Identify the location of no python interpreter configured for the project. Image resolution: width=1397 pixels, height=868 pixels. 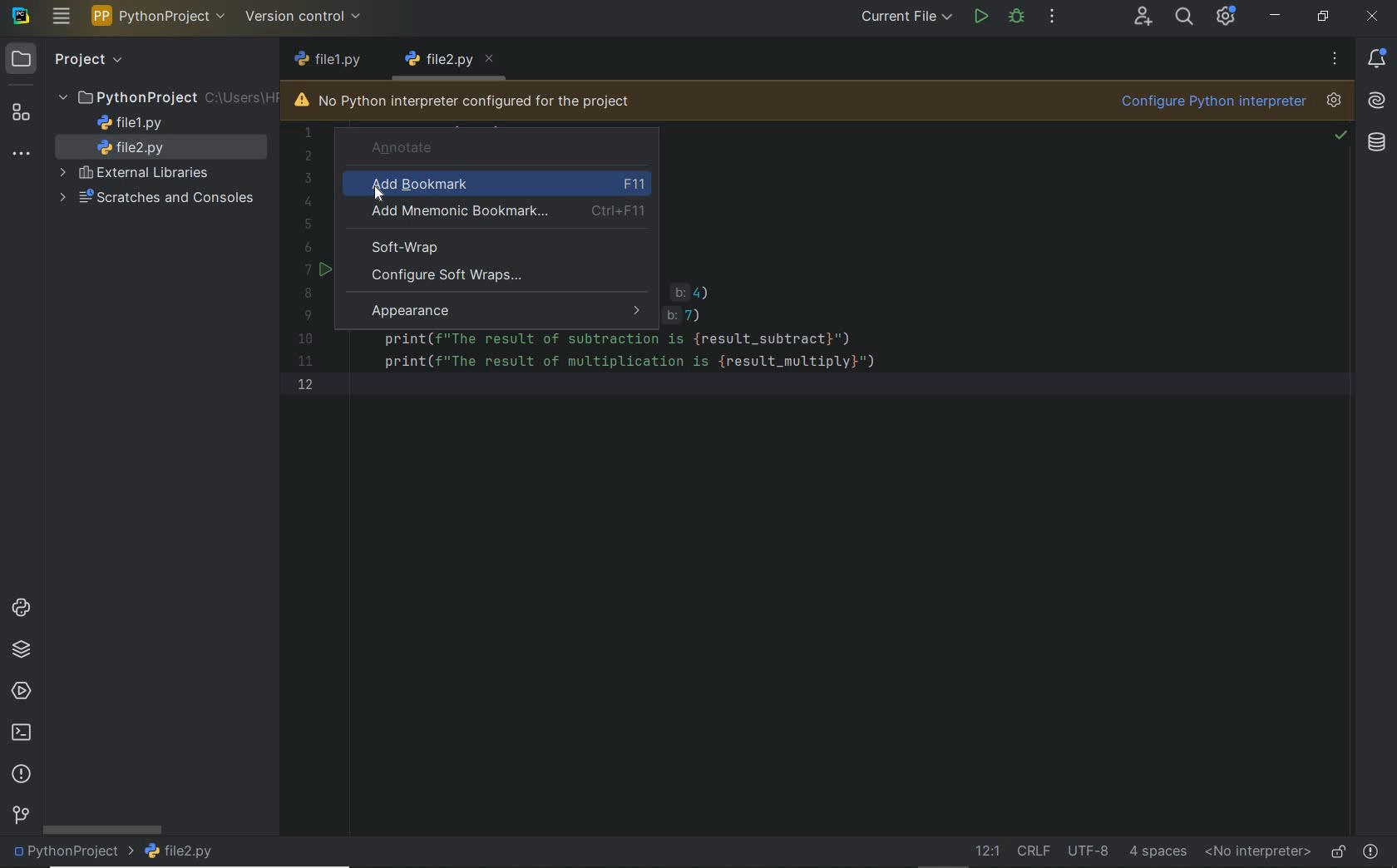
(463, 101).